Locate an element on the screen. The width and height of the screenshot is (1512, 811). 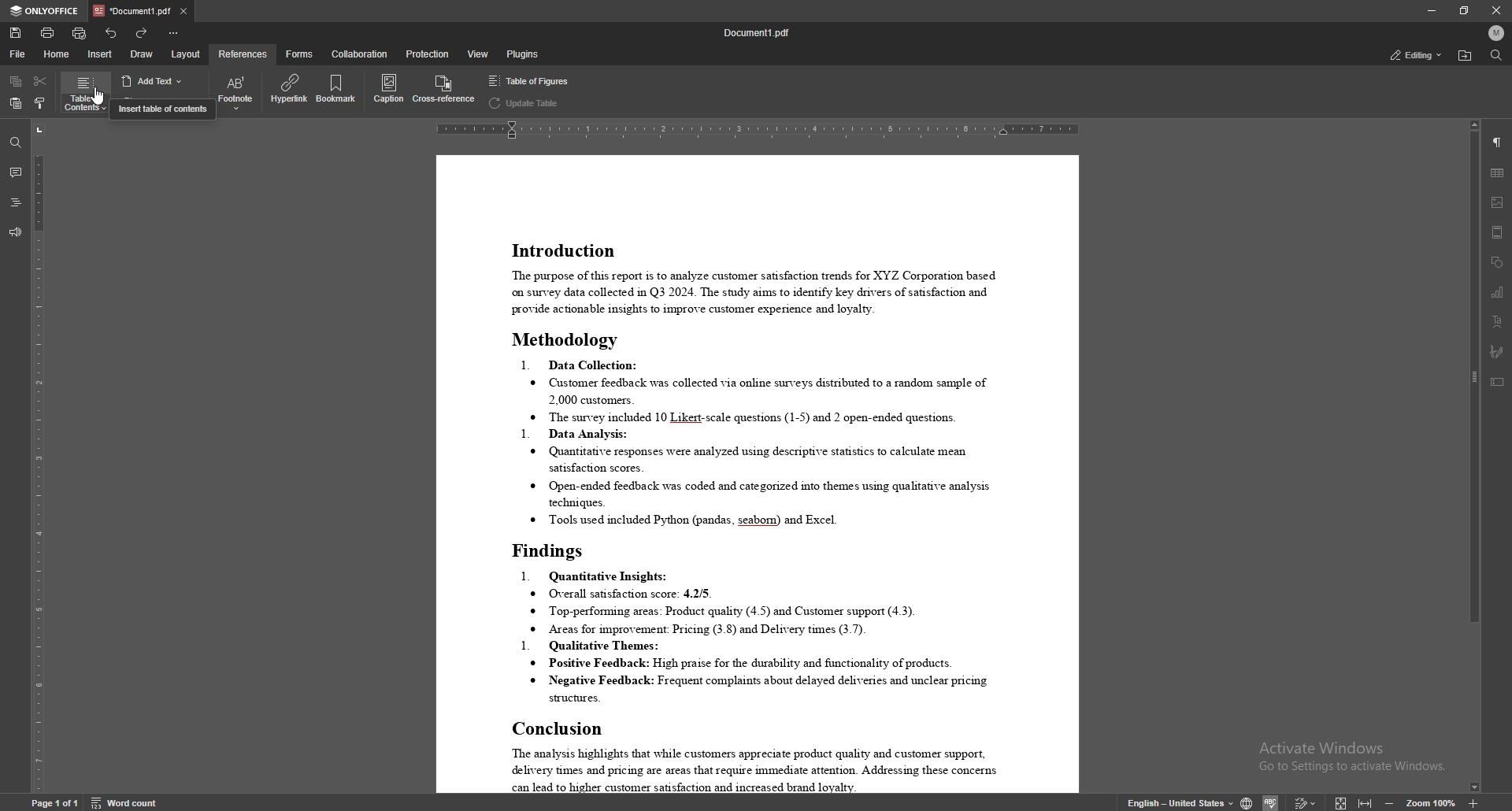
table of contents is located at coordinates (85, 93).